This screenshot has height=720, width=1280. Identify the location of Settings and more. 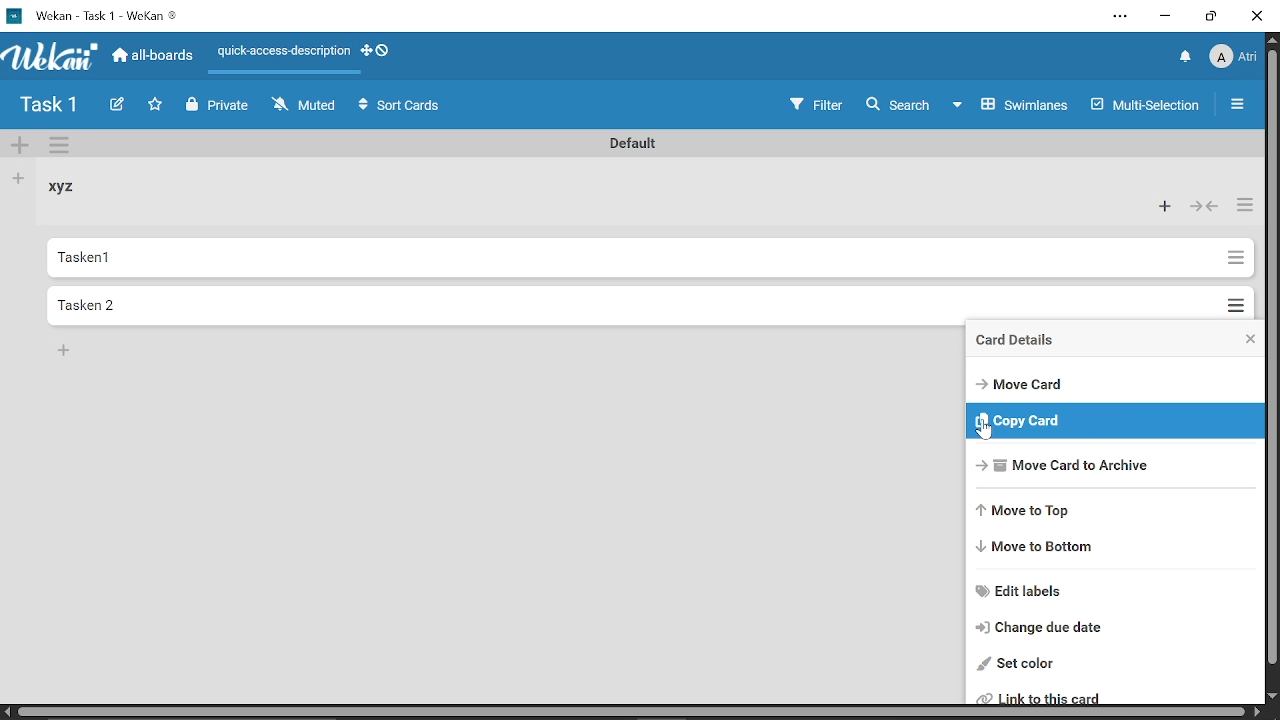
(1116, 17).